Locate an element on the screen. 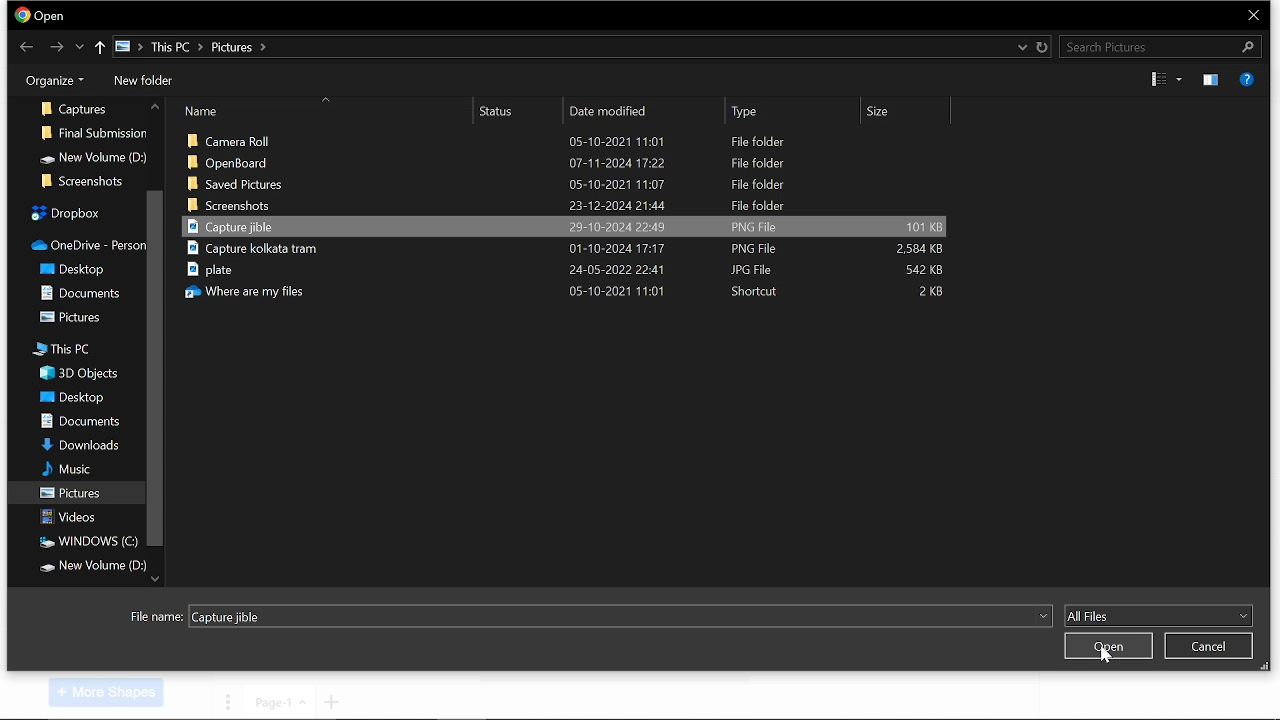 The width and height of the screenshot is (1280, 720). path to current location is located at coordinates (190, 47).